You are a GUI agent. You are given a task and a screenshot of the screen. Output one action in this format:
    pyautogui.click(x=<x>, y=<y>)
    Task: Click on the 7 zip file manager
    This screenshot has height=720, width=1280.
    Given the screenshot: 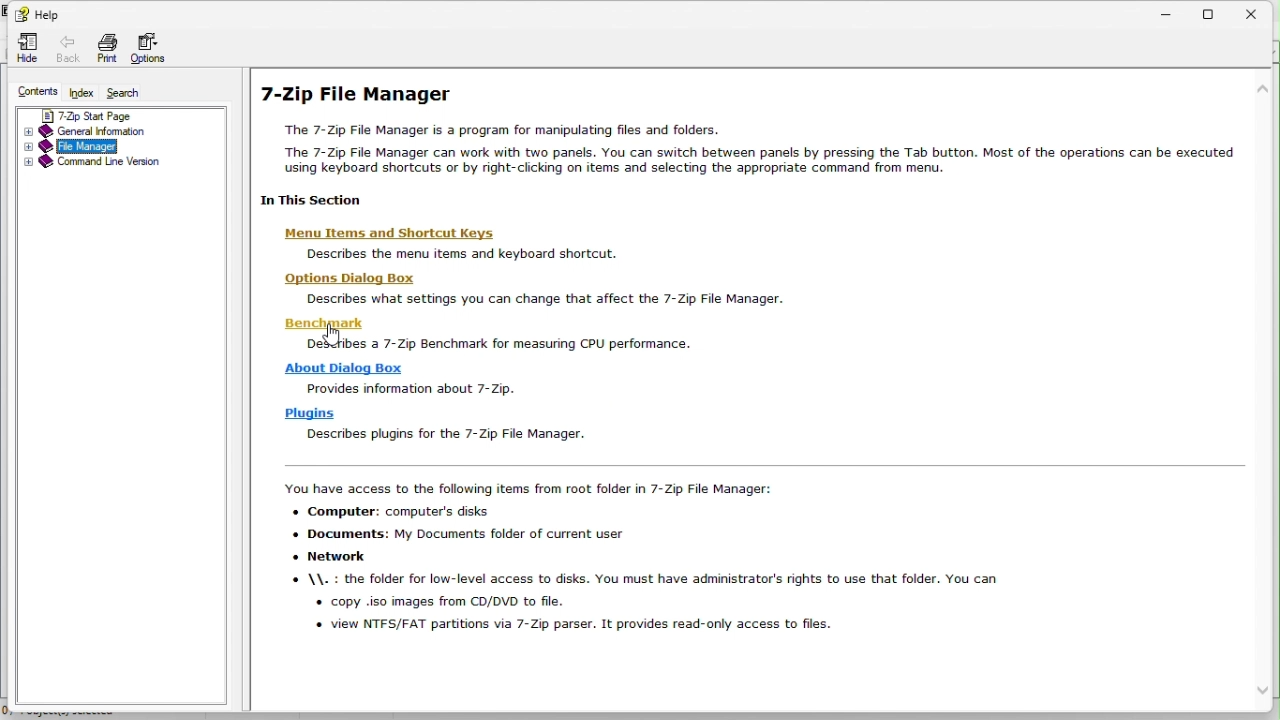 What is the action you would take?
    pyautogui.click(x=767, y=192)
    